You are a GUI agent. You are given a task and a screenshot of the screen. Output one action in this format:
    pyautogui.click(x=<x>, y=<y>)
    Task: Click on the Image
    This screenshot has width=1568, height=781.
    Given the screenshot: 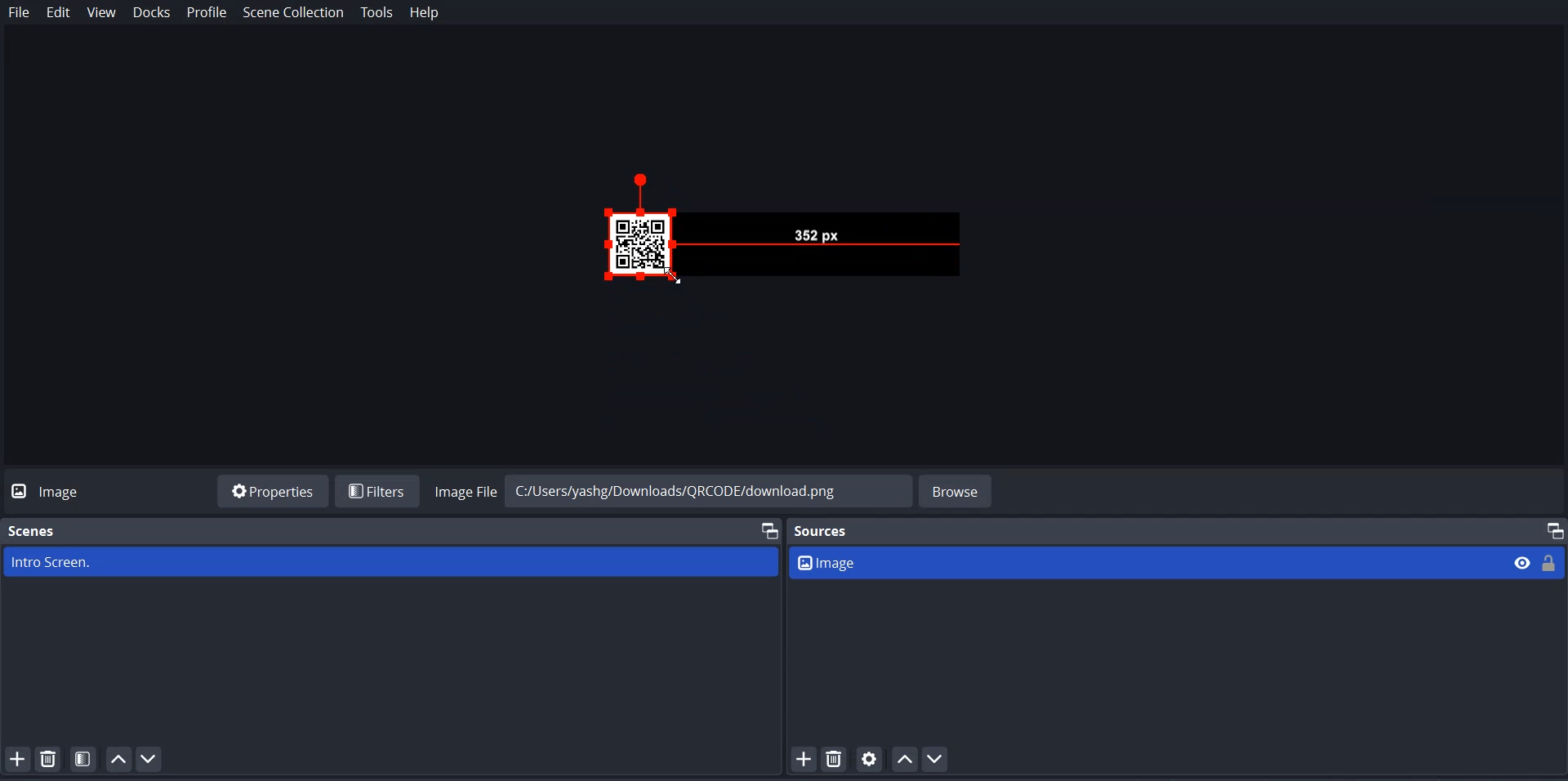 What is the action you would take?
    pyautogui.click(x=1147, y=562)
    